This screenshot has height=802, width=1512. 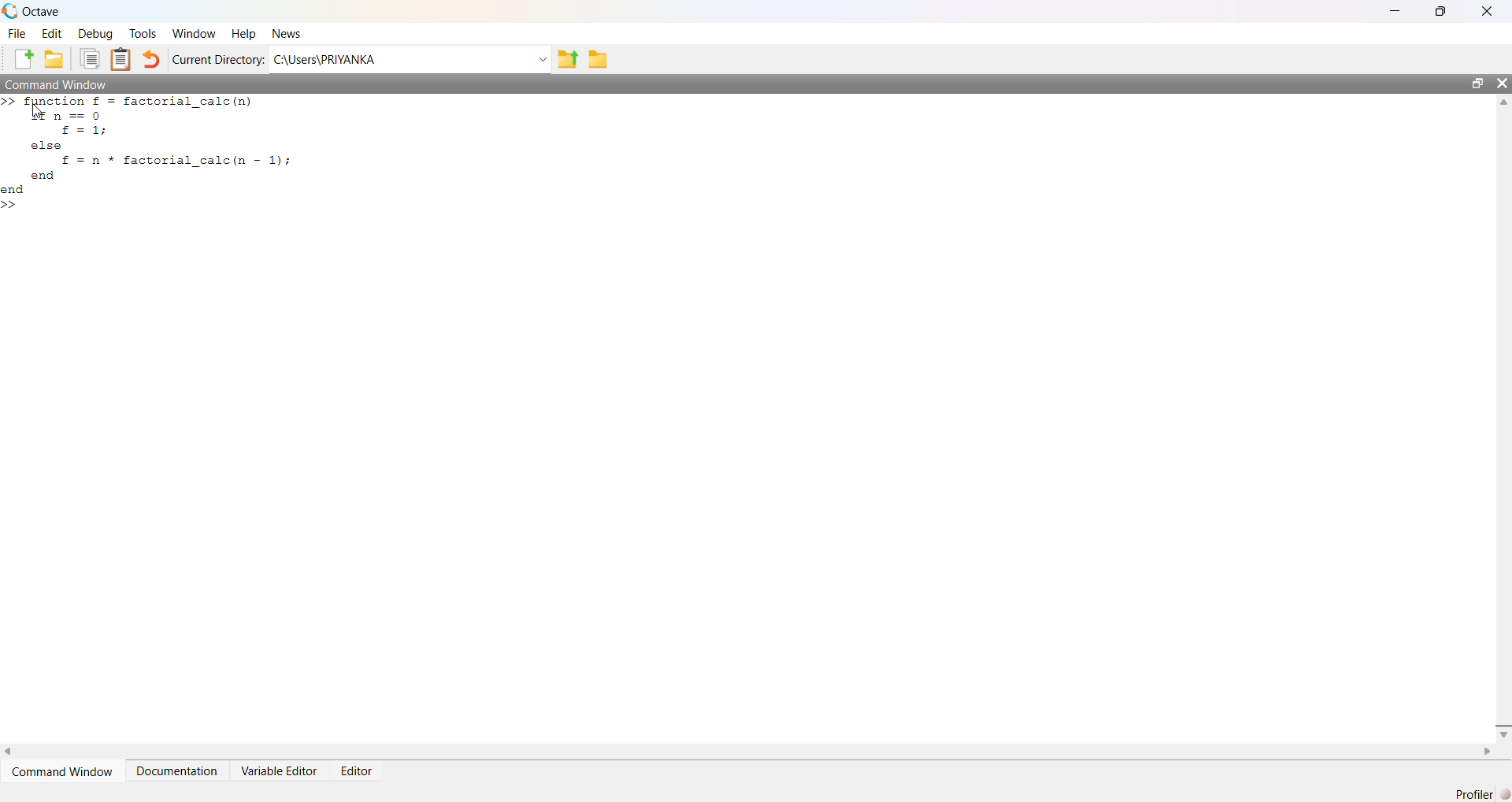 I want to click on scroll up, so click(x=1502, y=102).